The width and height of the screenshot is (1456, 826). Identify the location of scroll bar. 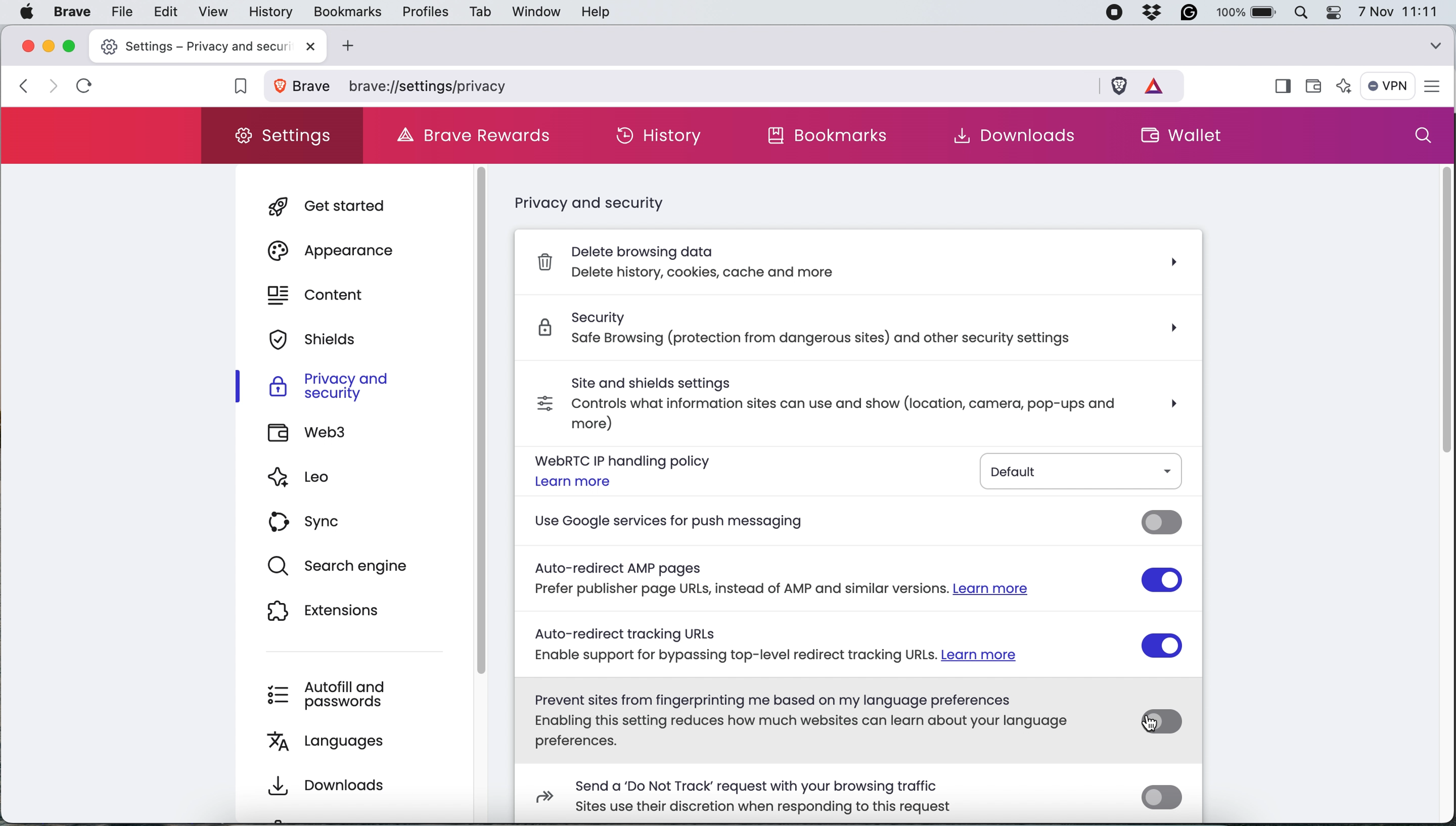
(489, 422).